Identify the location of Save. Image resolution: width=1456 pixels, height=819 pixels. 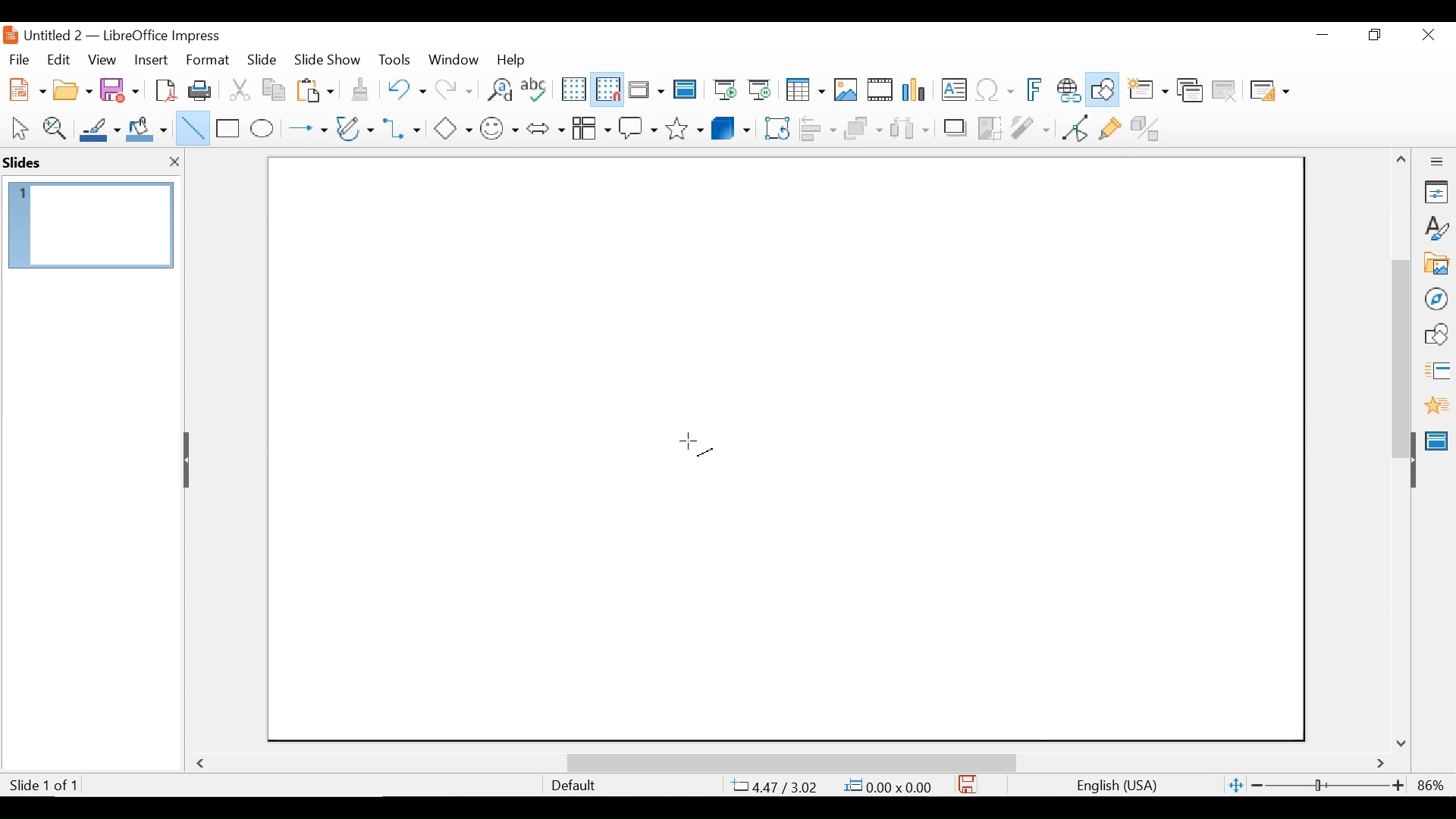
(121, 89).